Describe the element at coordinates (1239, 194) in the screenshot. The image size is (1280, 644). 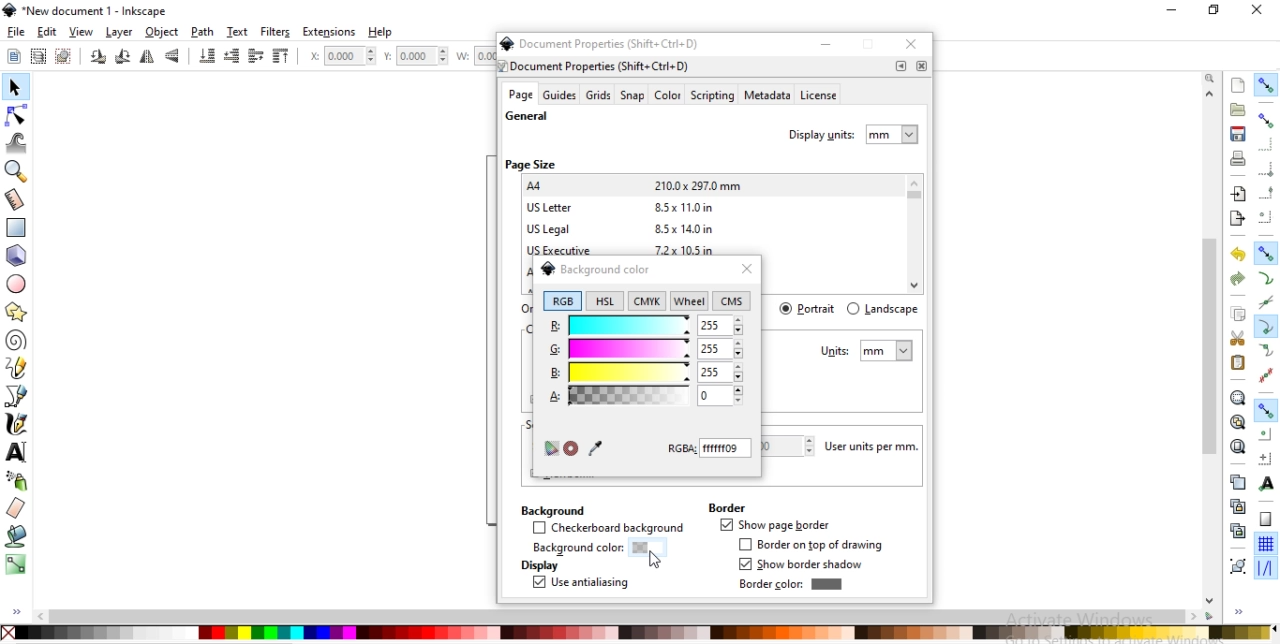
I see `import a bitmap` at that location.